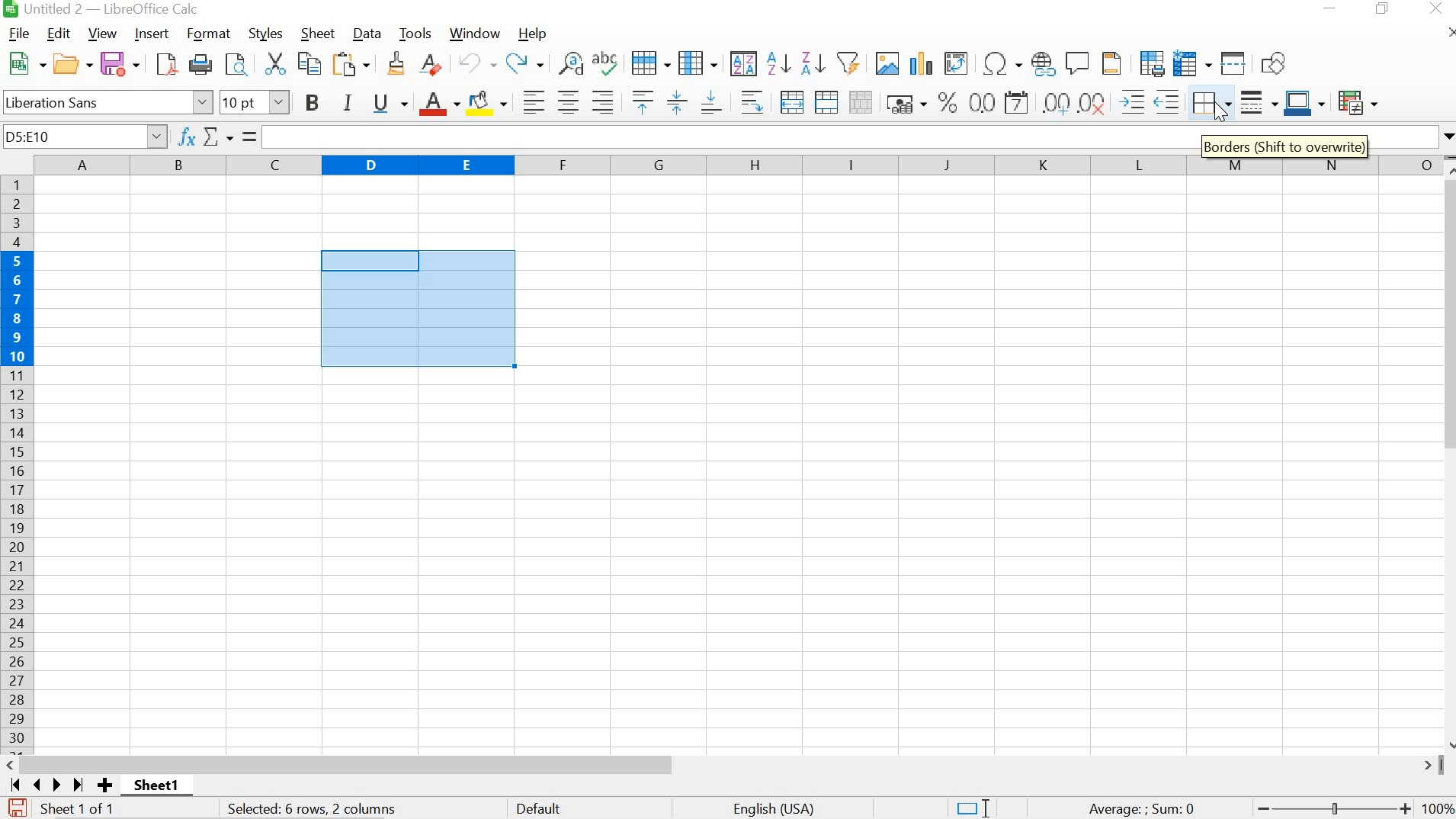 The height and width of the screenshot is (819, 1456). I want to click on zoom out or zoom in, so click(1331, 810).